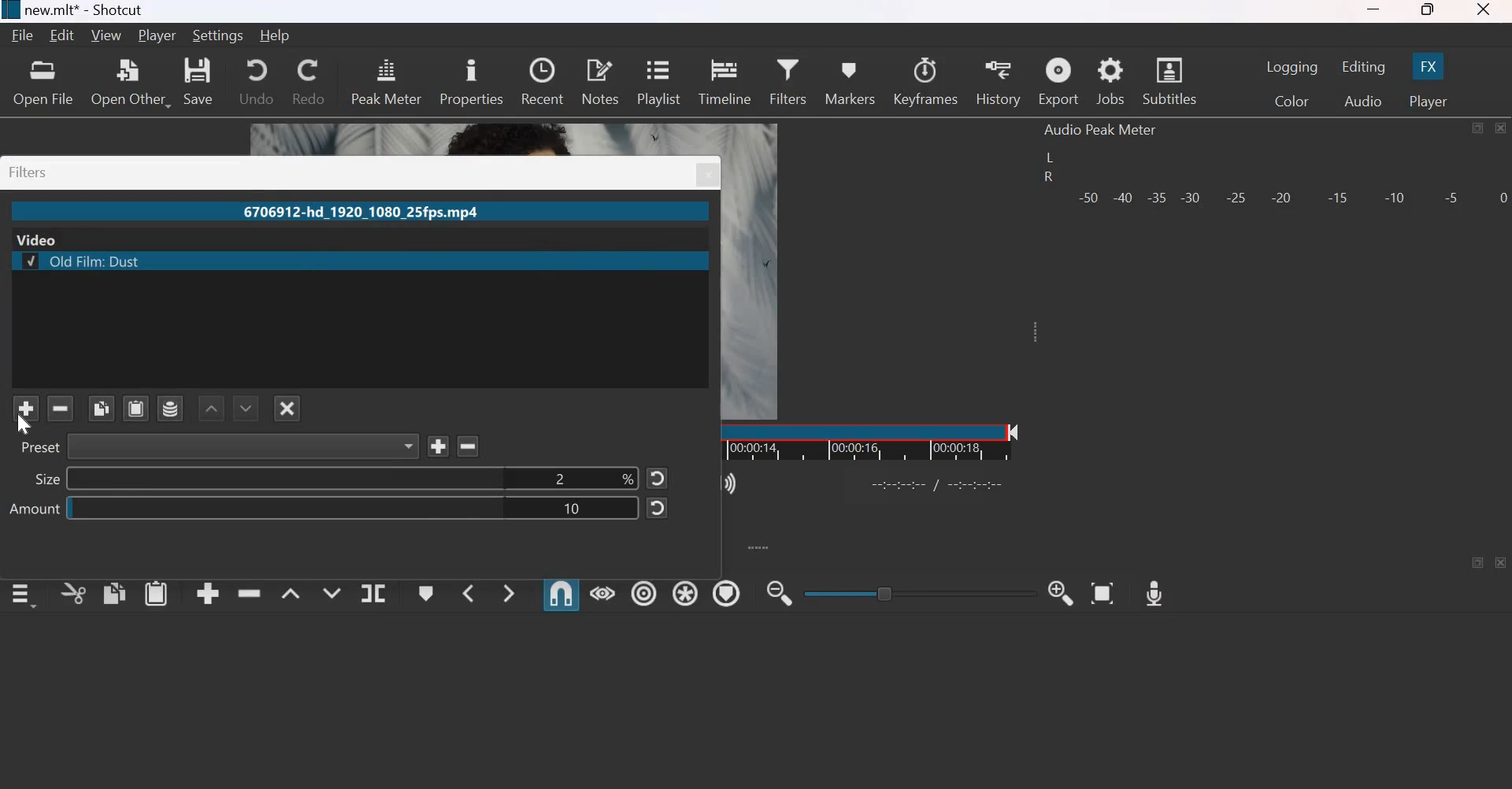  I want to click on Minimize, so click(1377, 10).